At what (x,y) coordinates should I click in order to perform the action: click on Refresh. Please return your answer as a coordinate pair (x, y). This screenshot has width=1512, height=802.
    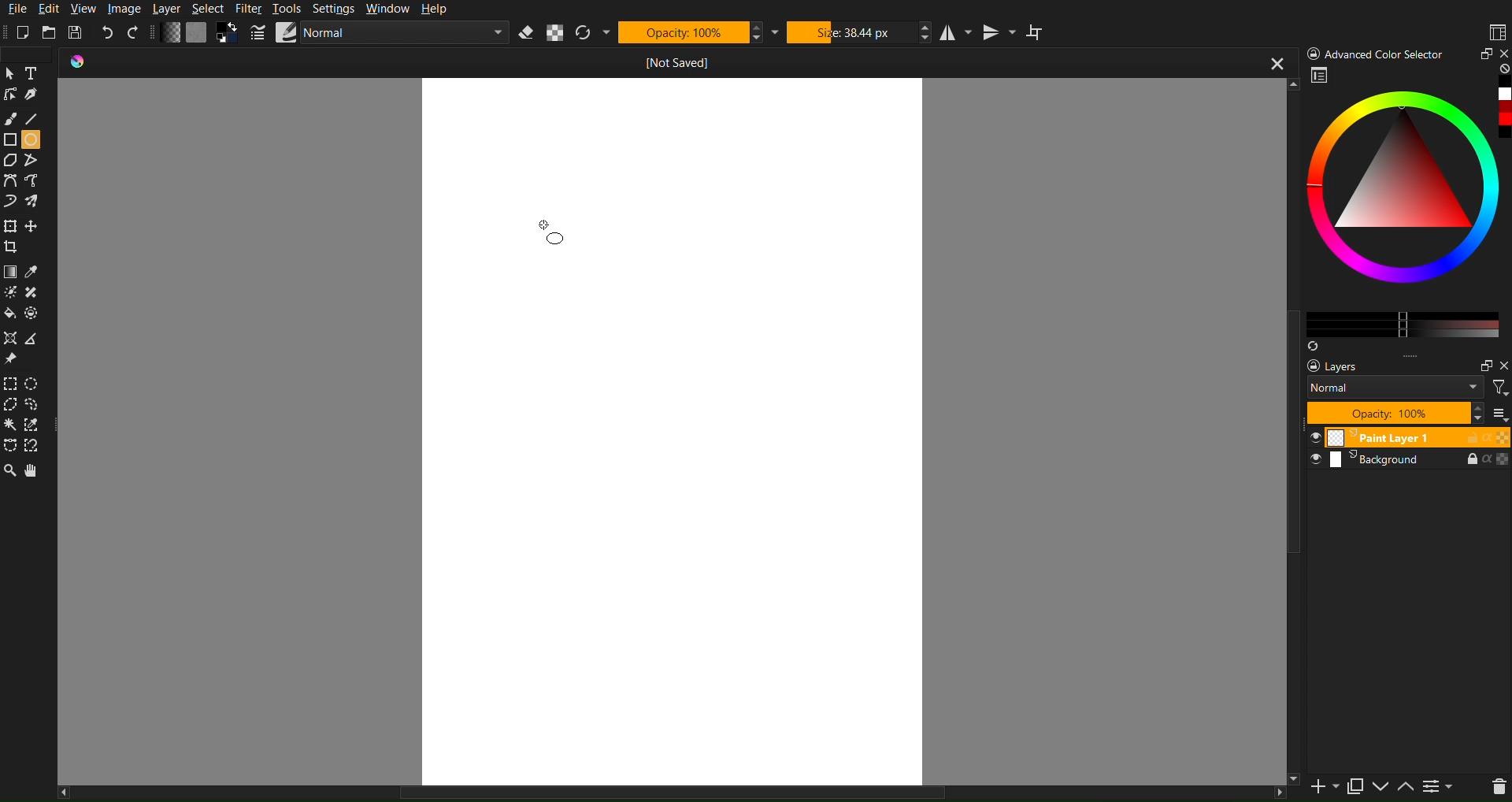
    Looking at the image, I should click on (584, 32).